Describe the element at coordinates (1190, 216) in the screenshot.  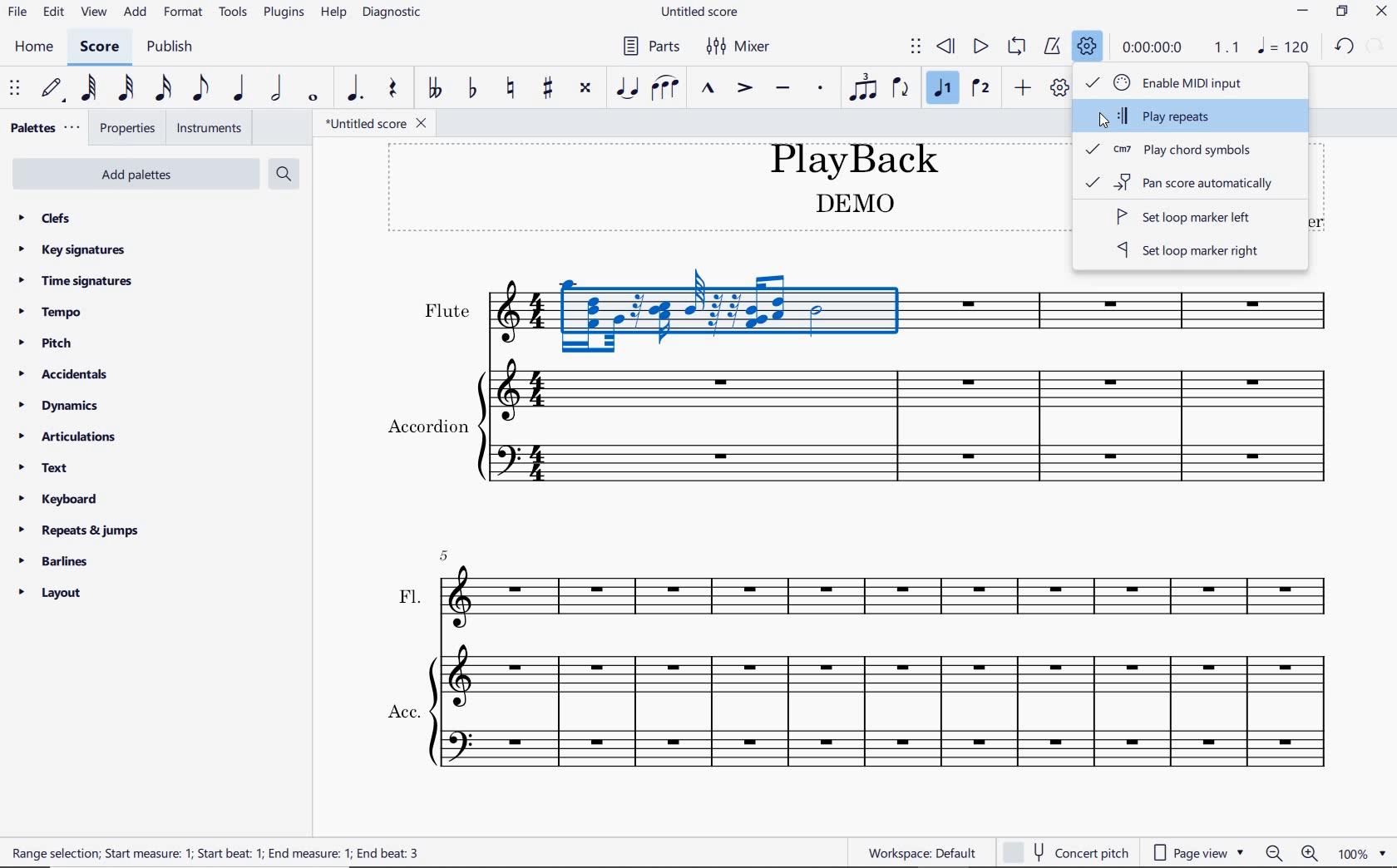
I see `set loop marker left` at that location.